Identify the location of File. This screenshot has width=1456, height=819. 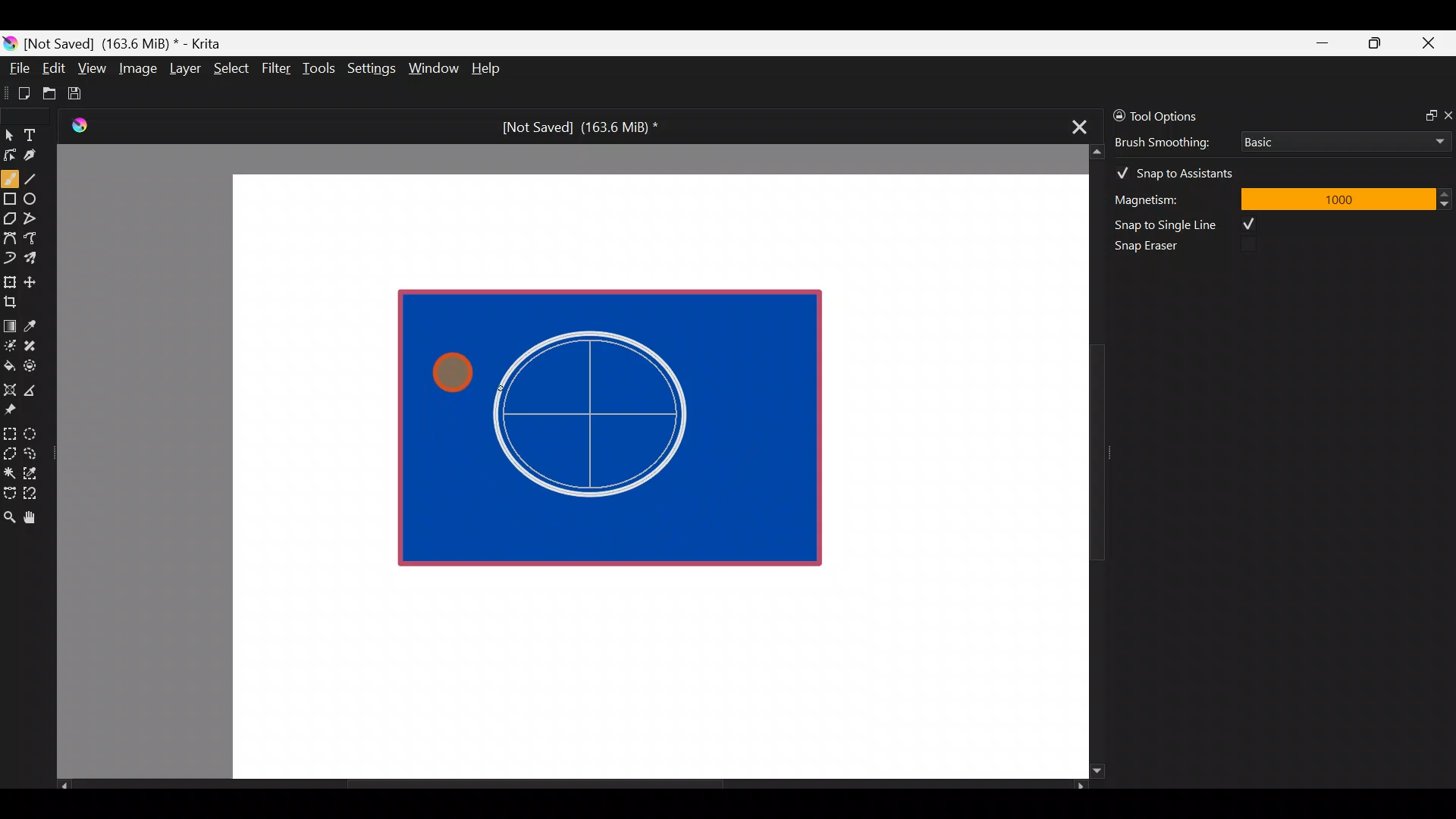
(15, 71).